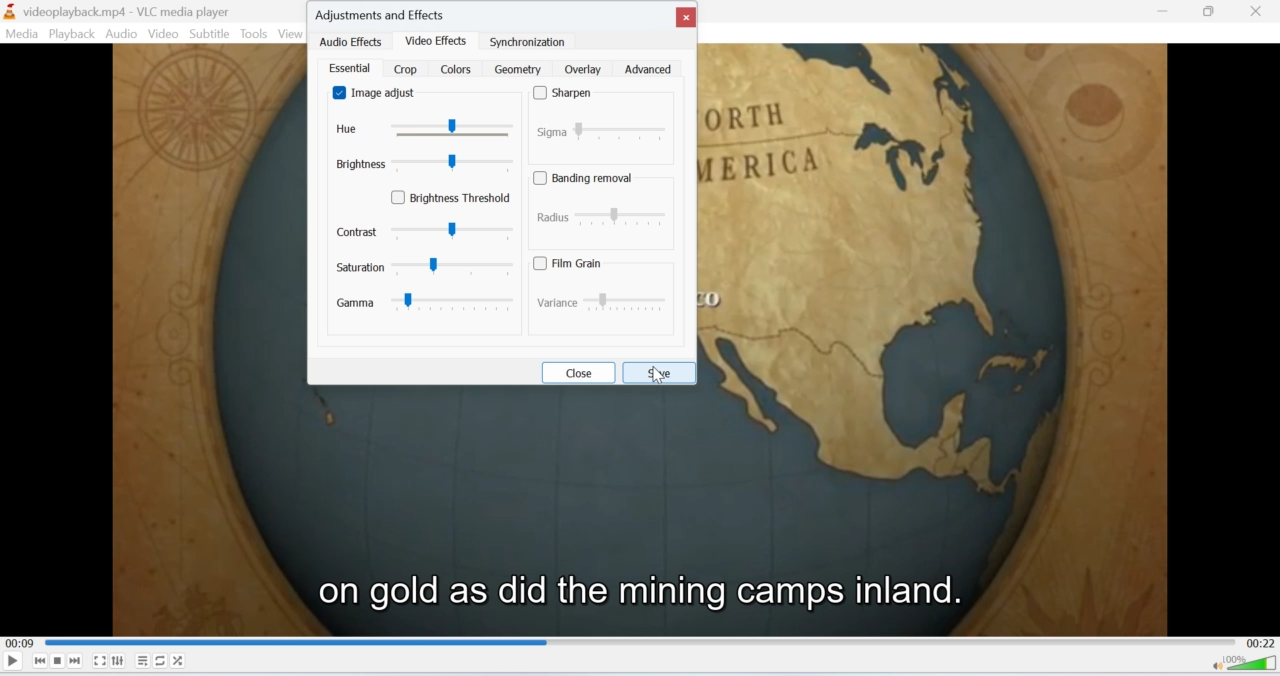 Image resolution: width=1280 pixels, height=676 pixels. What do you see at coordinates (458, 69) in the screenshot?
I see `colors` at bounding box center [458, 69].